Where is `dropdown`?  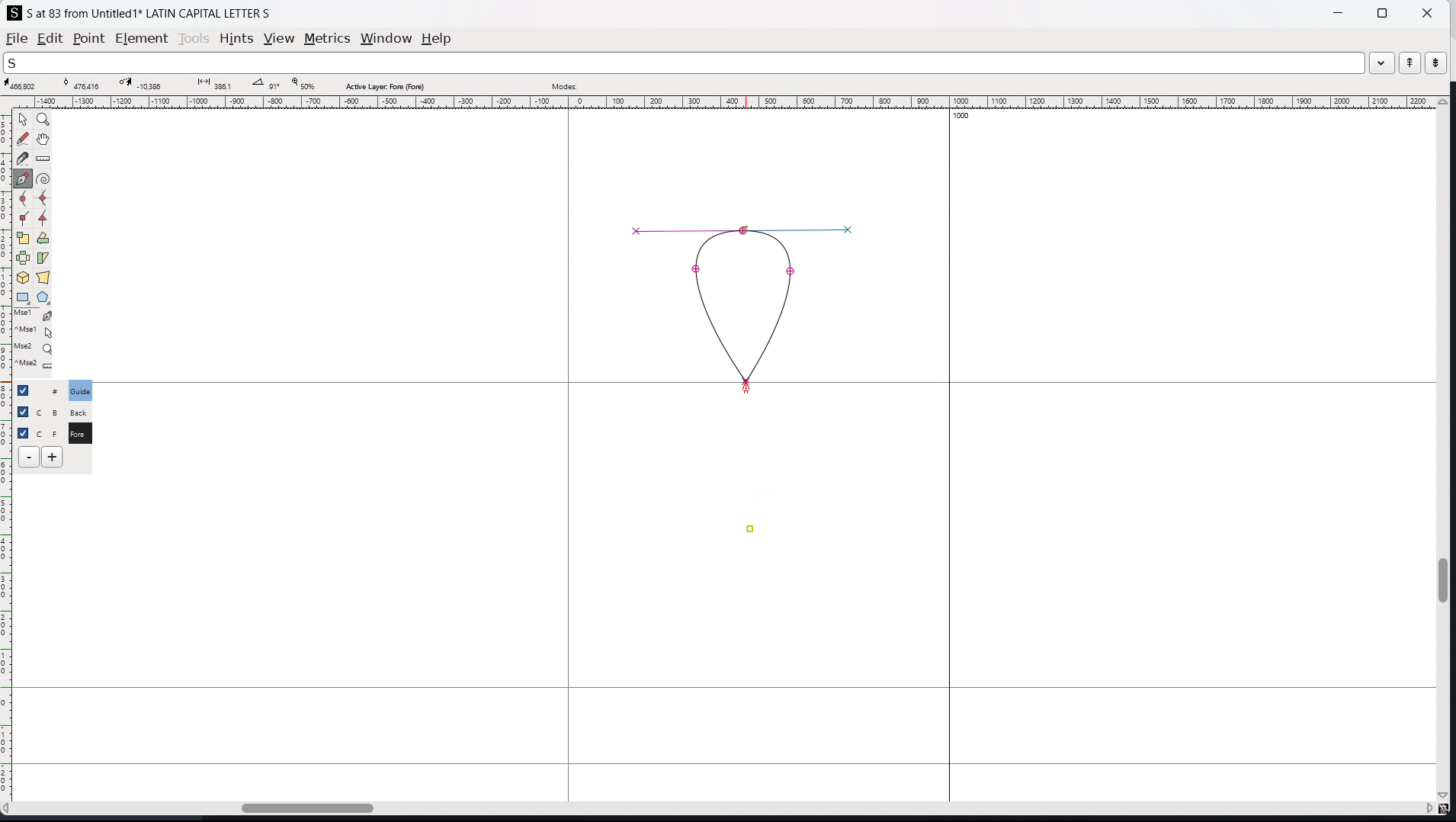
dropdown is located at coordinates (1382, 62).